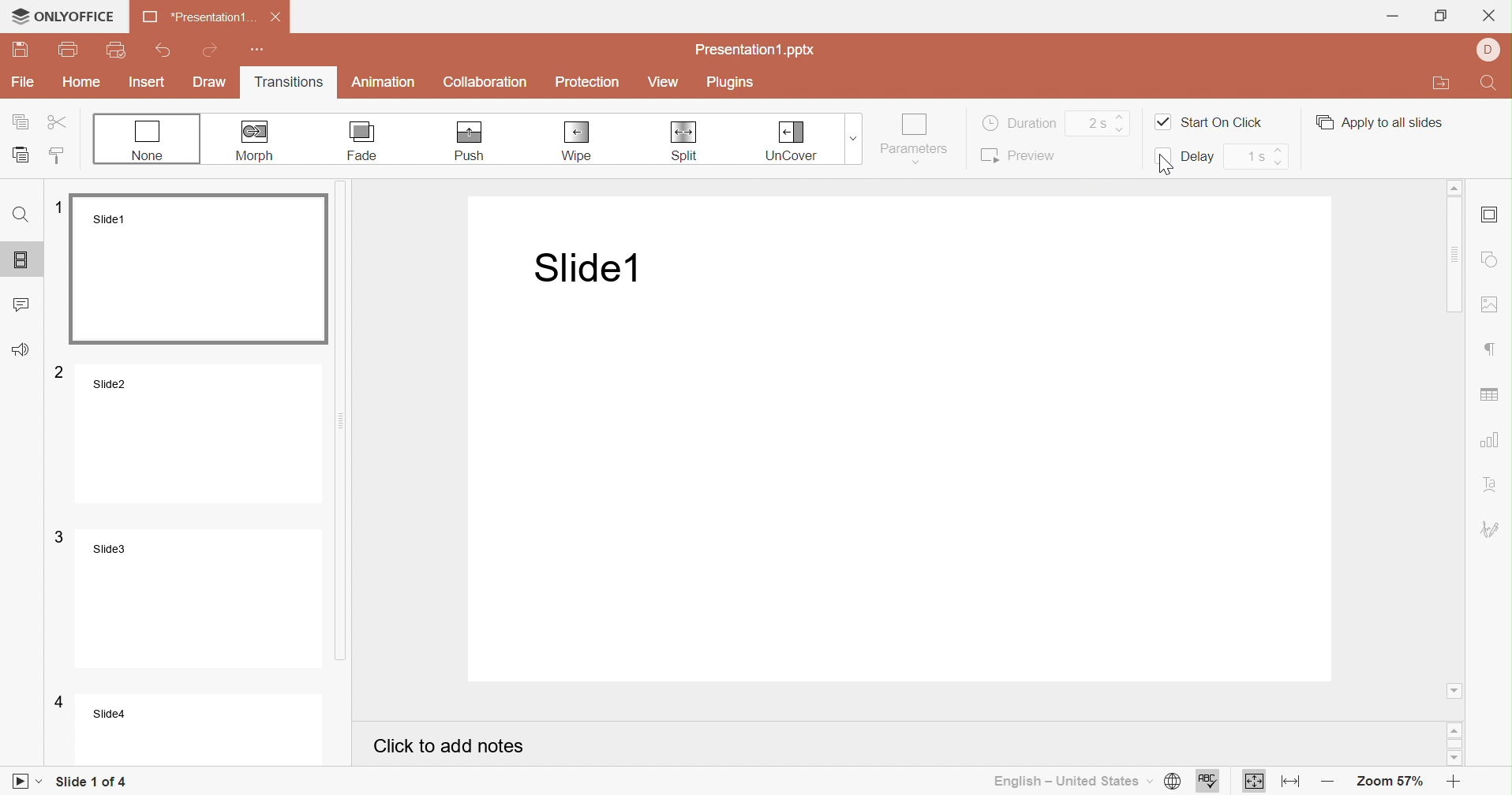  I want to click on Find, so click(1491, 82).